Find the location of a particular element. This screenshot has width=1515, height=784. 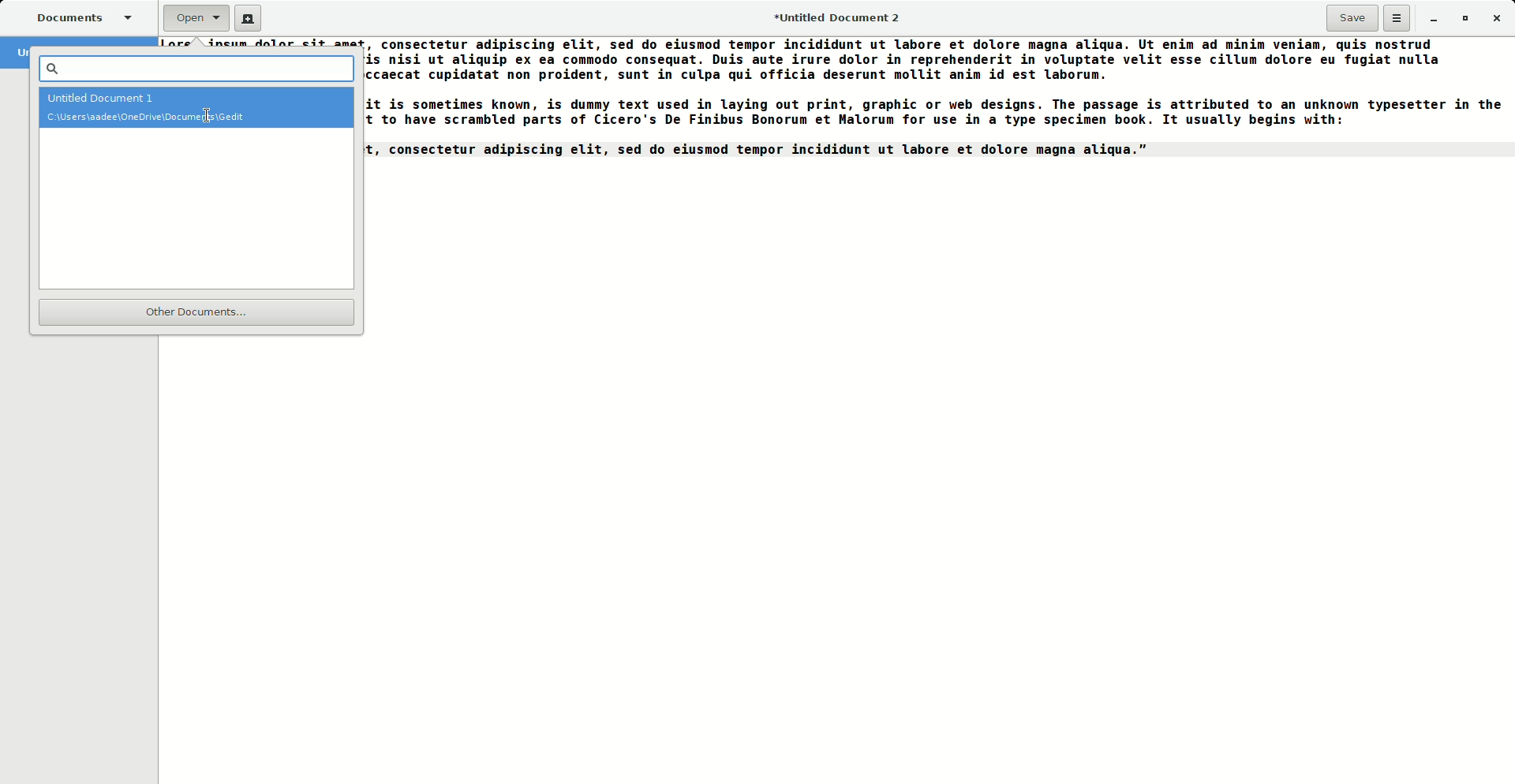

Close is located at coordinates (1496, 17).